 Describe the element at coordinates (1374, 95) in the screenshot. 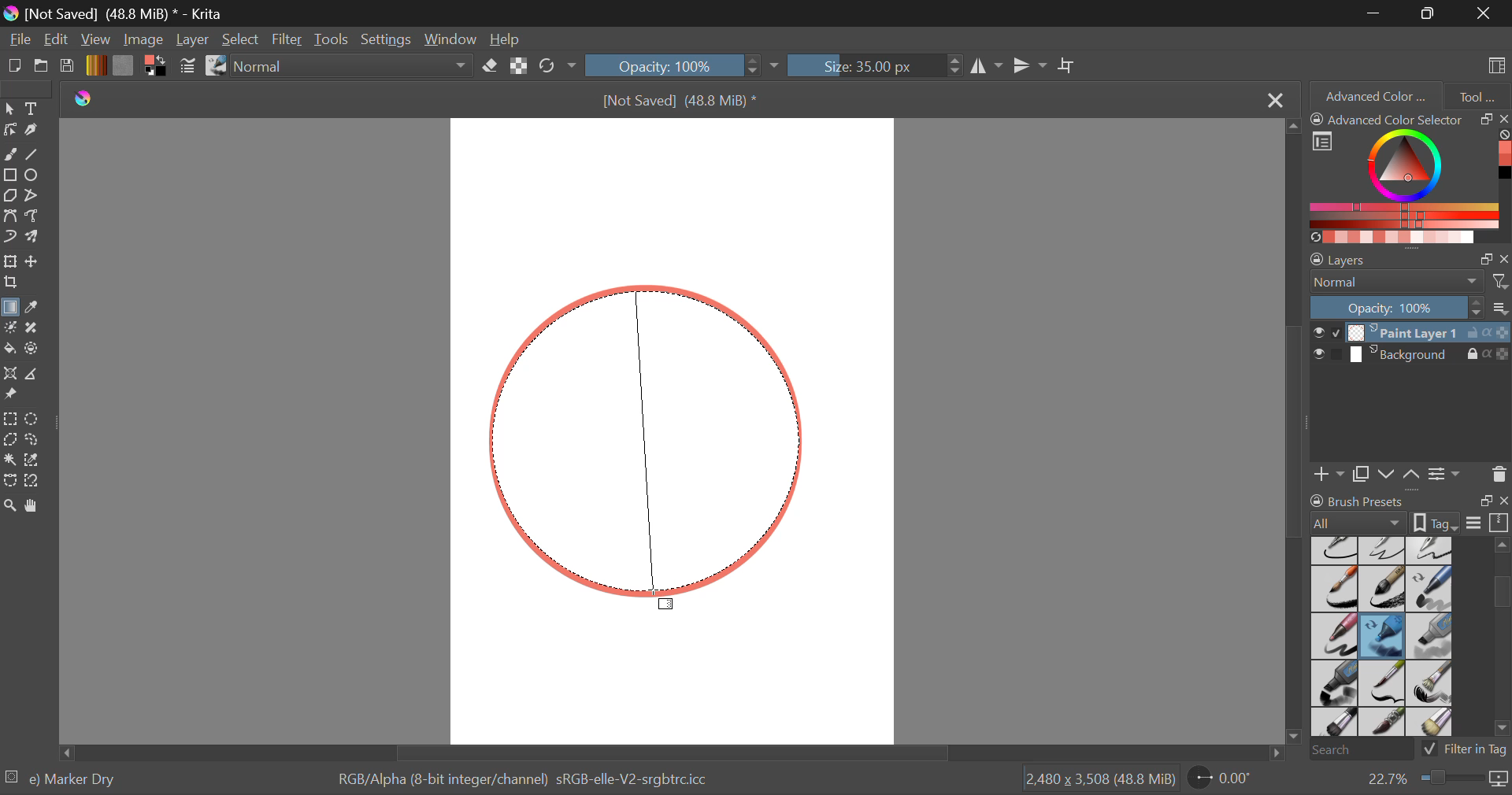

I see `Advanced Color Selector Tab Open` at that location.